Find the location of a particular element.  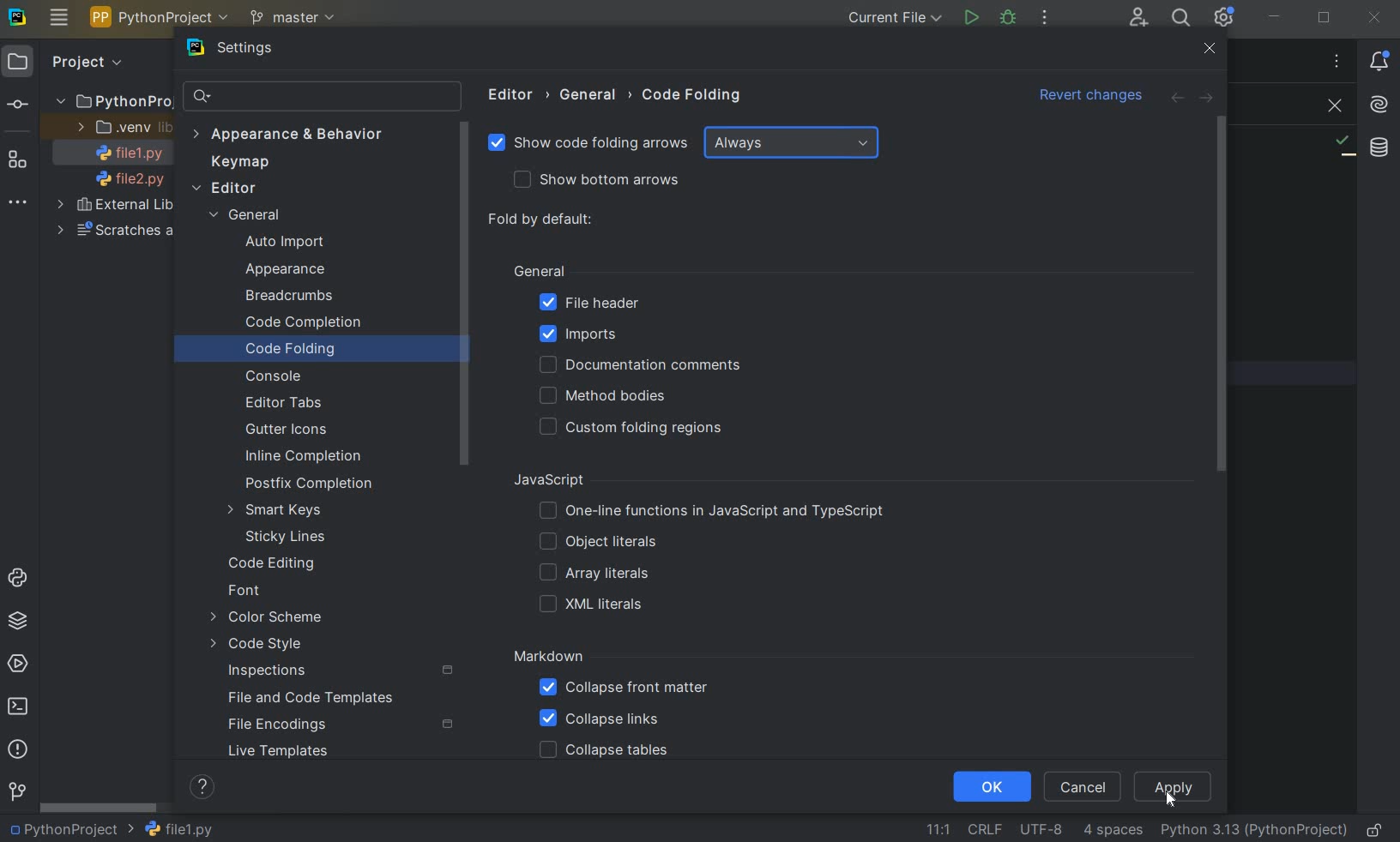

.VENV is located at coordinates (122, 128).